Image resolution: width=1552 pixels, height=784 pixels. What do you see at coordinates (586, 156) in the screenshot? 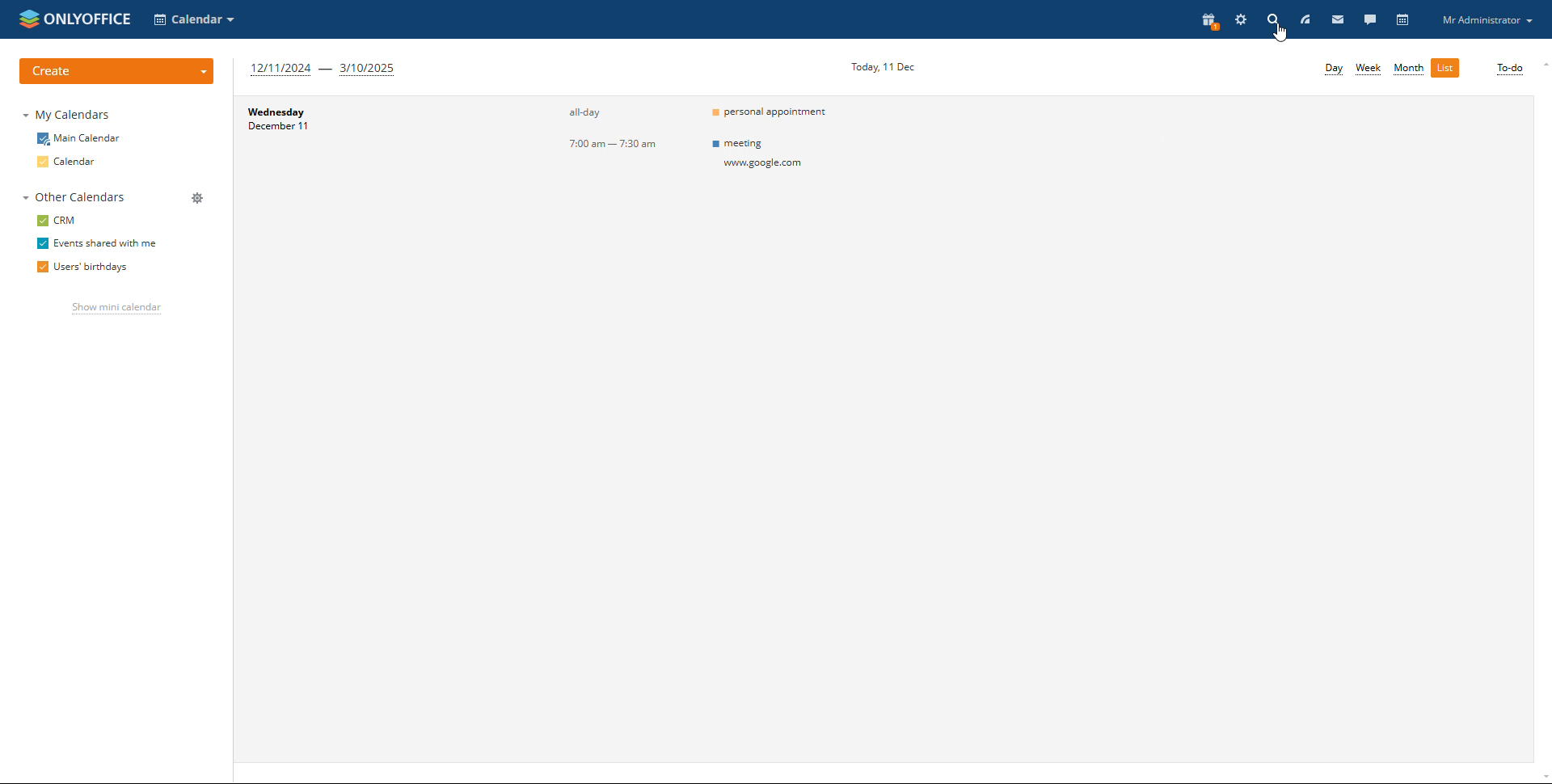
I see `all-day
7:00 am — 7:30 am` at bounding box center [586, 156].